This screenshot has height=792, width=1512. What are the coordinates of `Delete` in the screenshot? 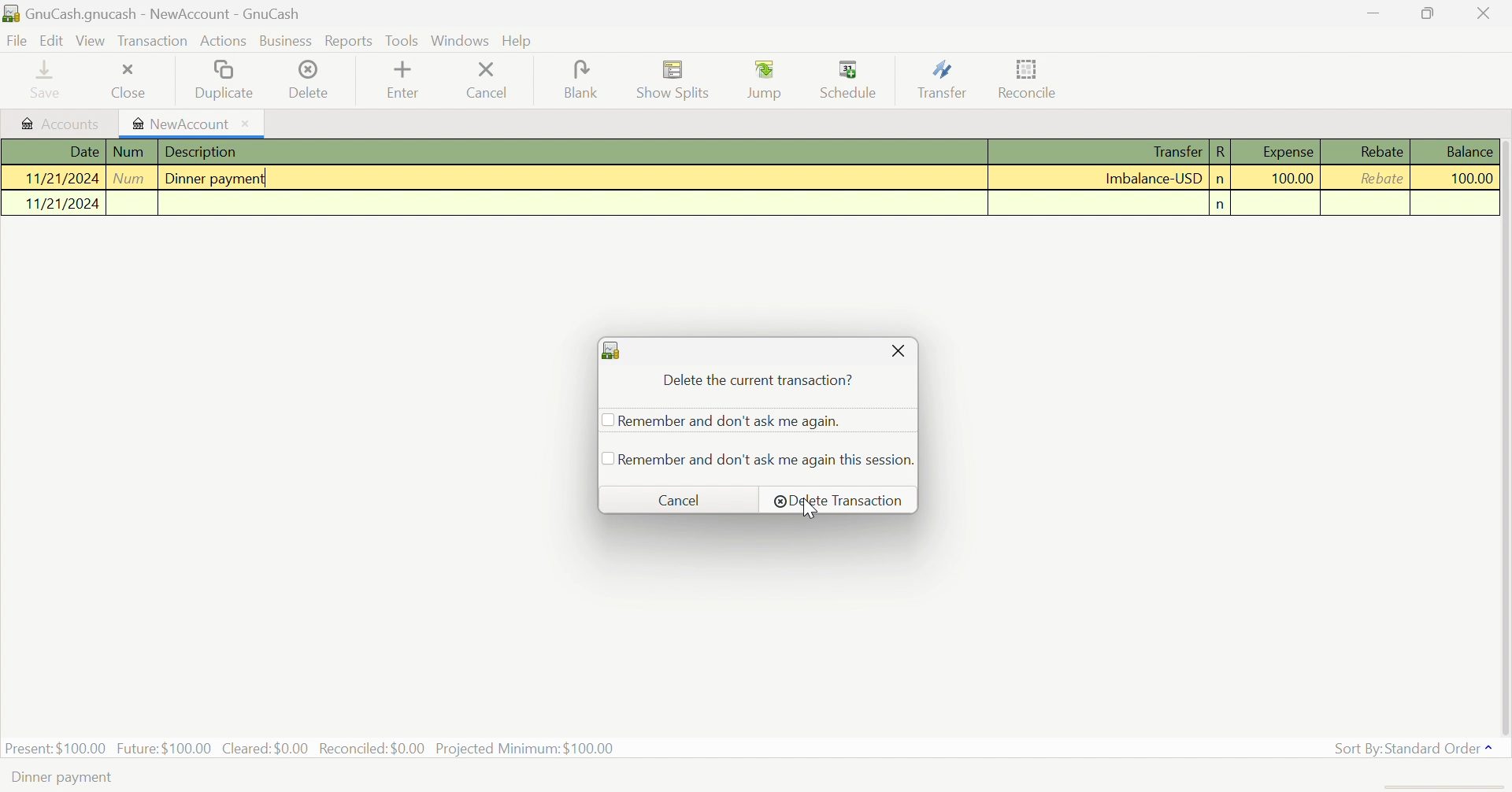 It's located at (313, 80).